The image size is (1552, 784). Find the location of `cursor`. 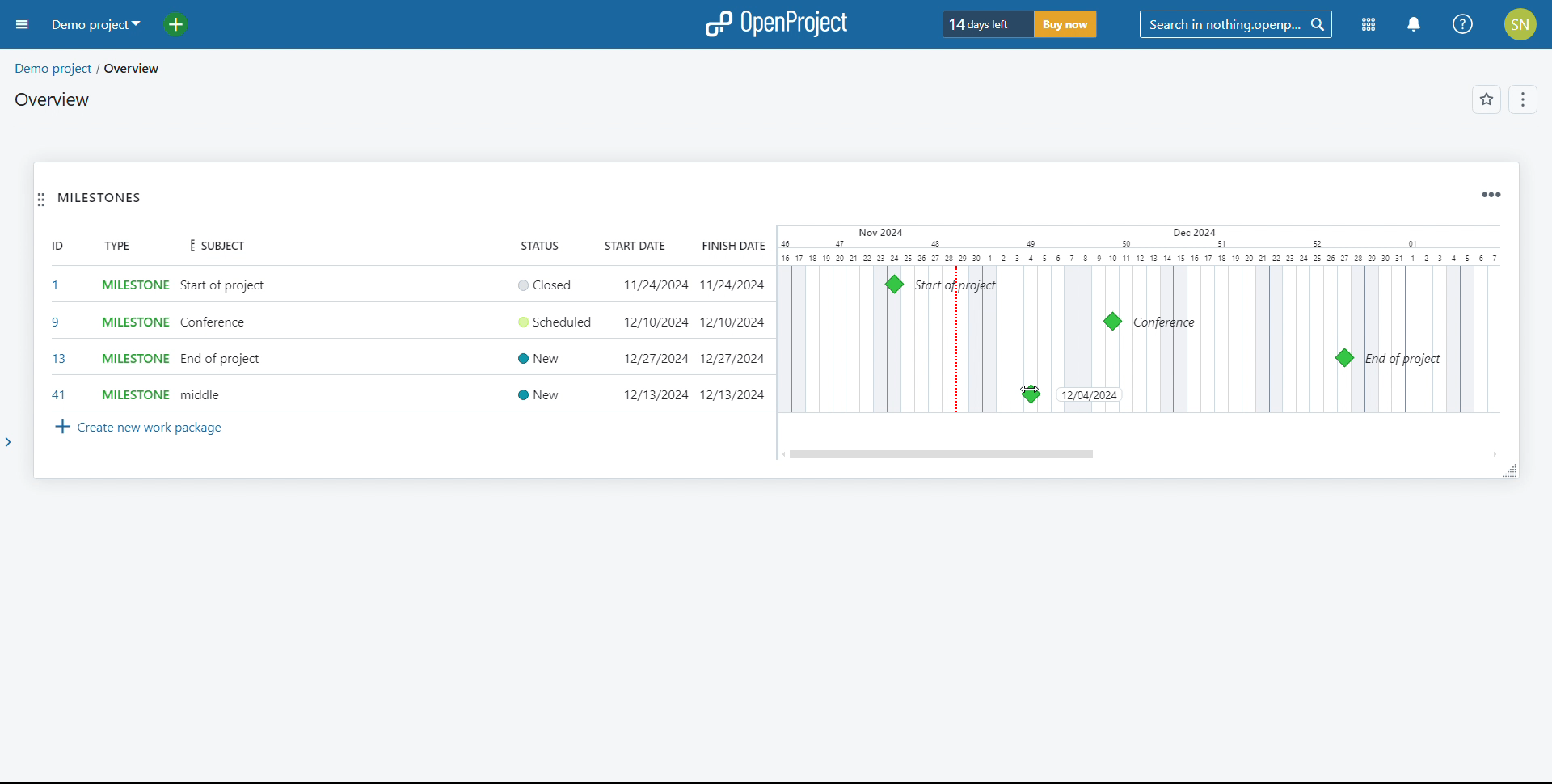

cursor is located at coordinates (1154, 393).